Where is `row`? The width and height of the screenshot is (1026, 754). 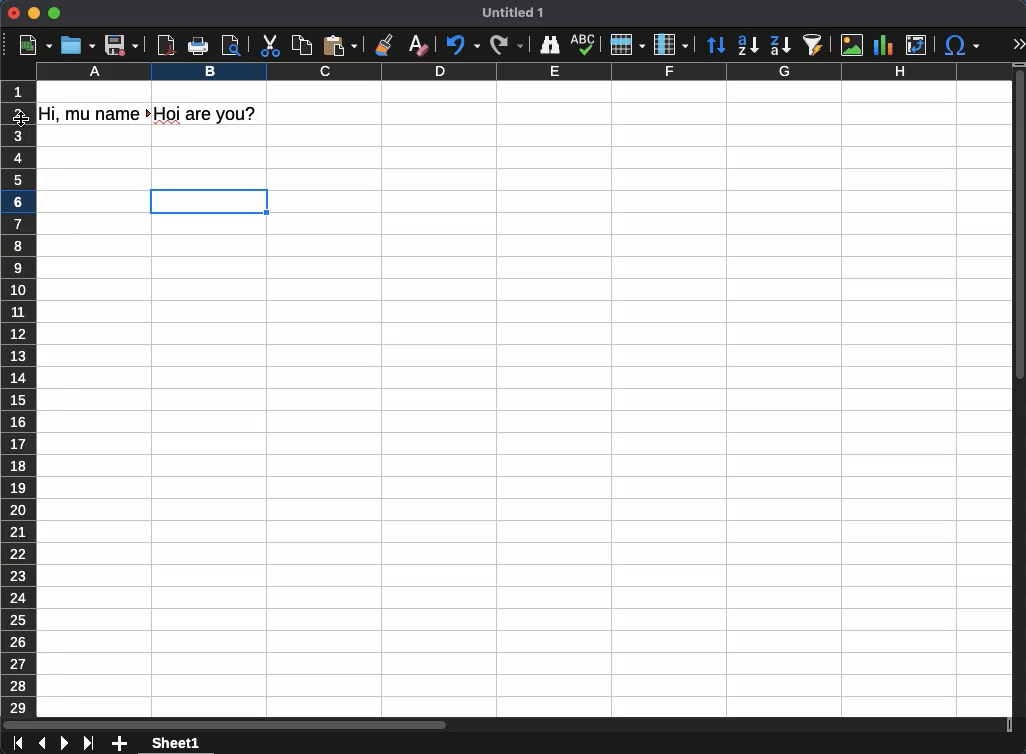
row is located at coordinates (627, 46).